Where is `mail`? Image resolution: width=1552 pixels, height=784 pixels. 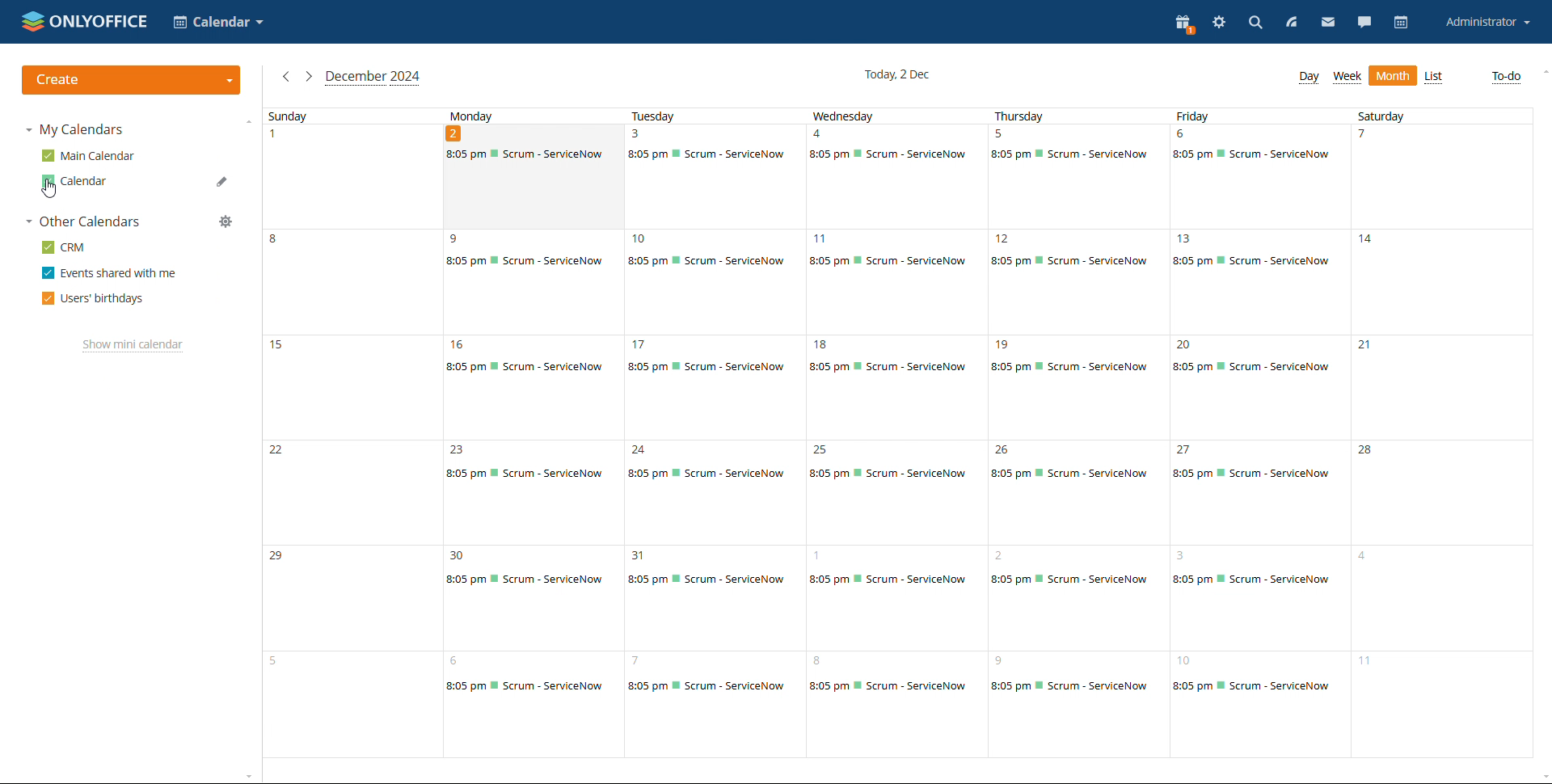
mail is located at coordinates (1327, 24).